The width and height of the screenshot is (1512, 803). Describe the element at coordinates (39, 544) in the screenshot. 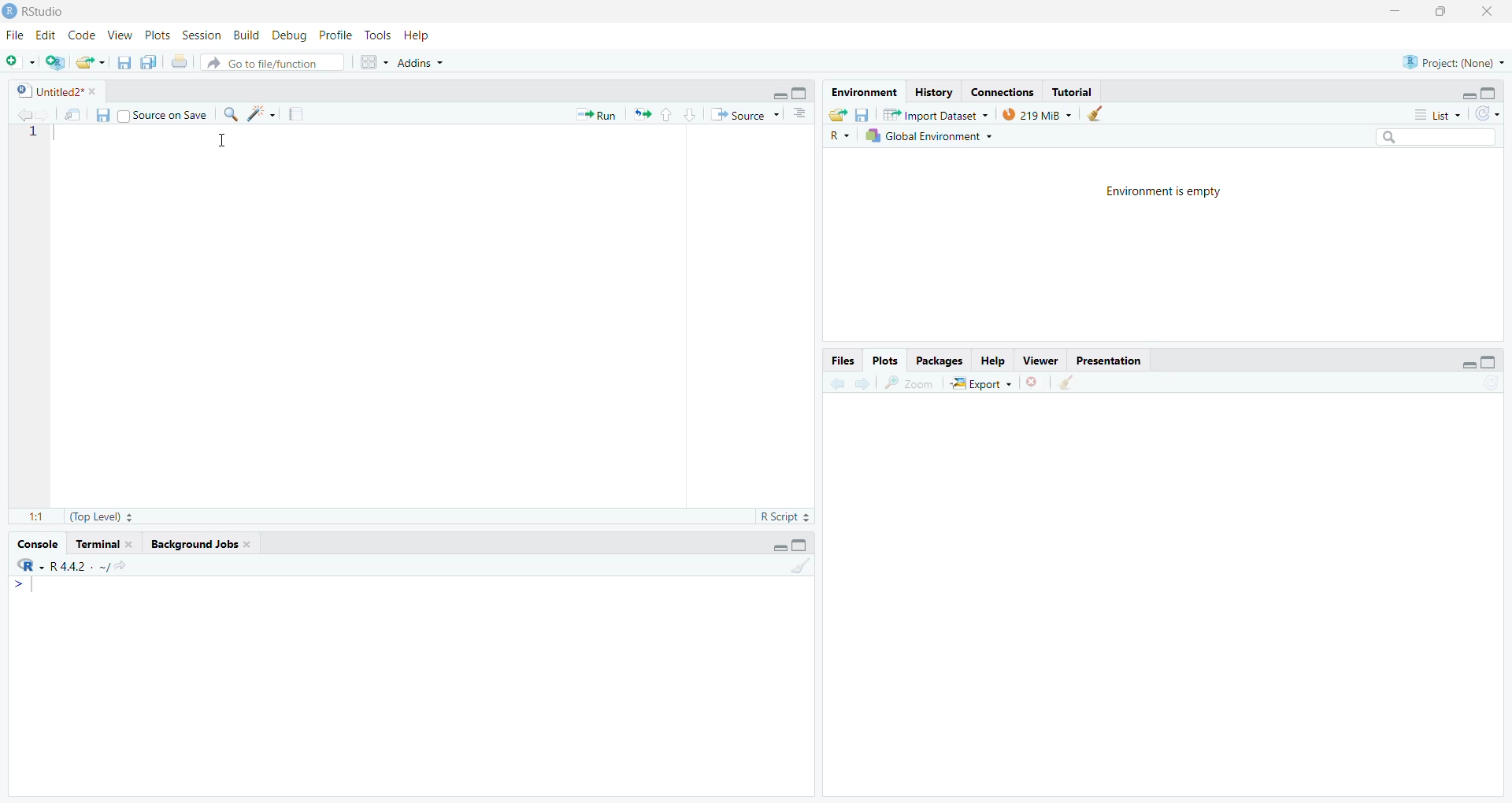

I see `Console` at that location.